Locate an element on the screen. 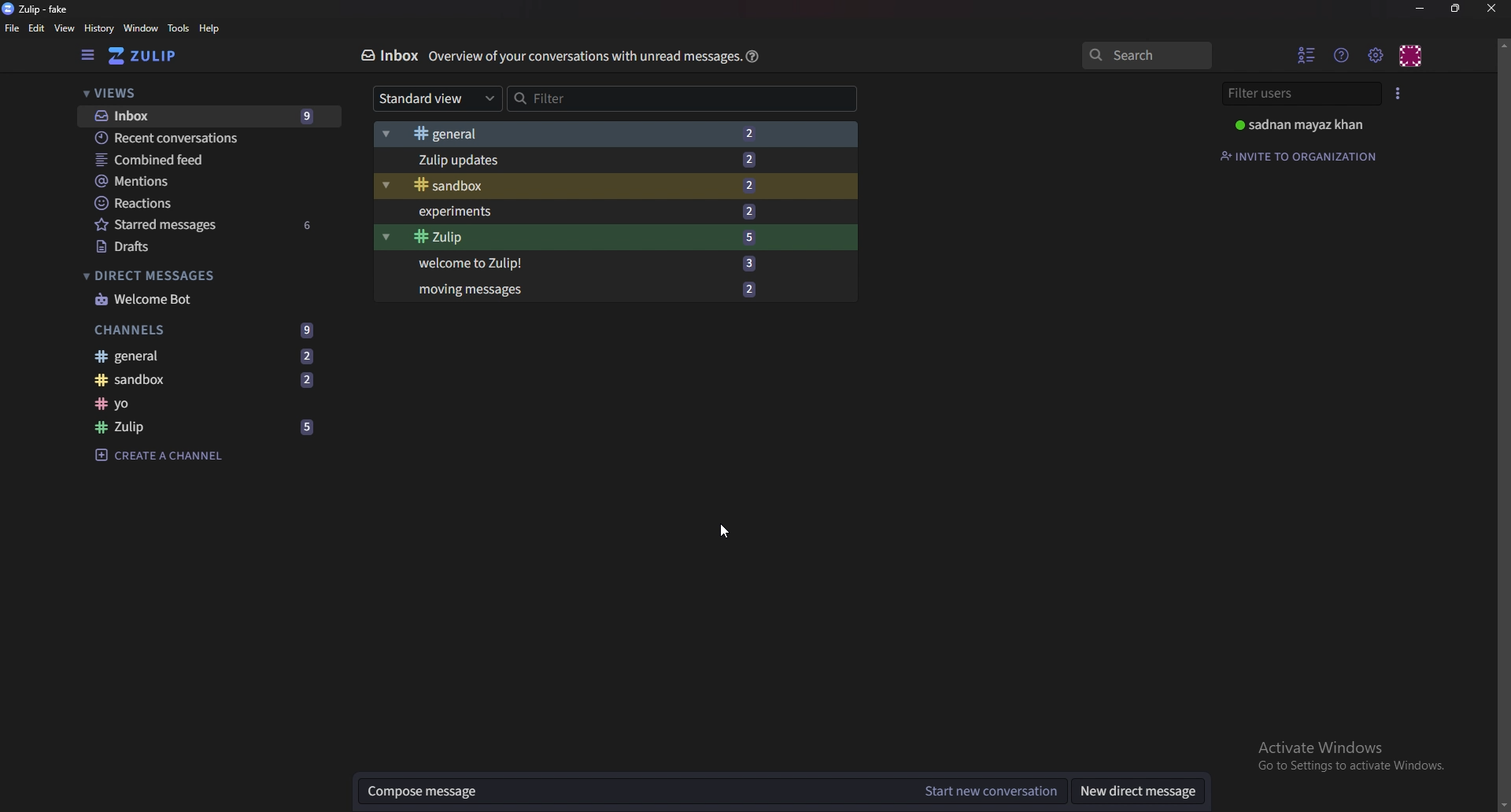  Overview of your conversations with unread messages is located at coordinates (584, 56).